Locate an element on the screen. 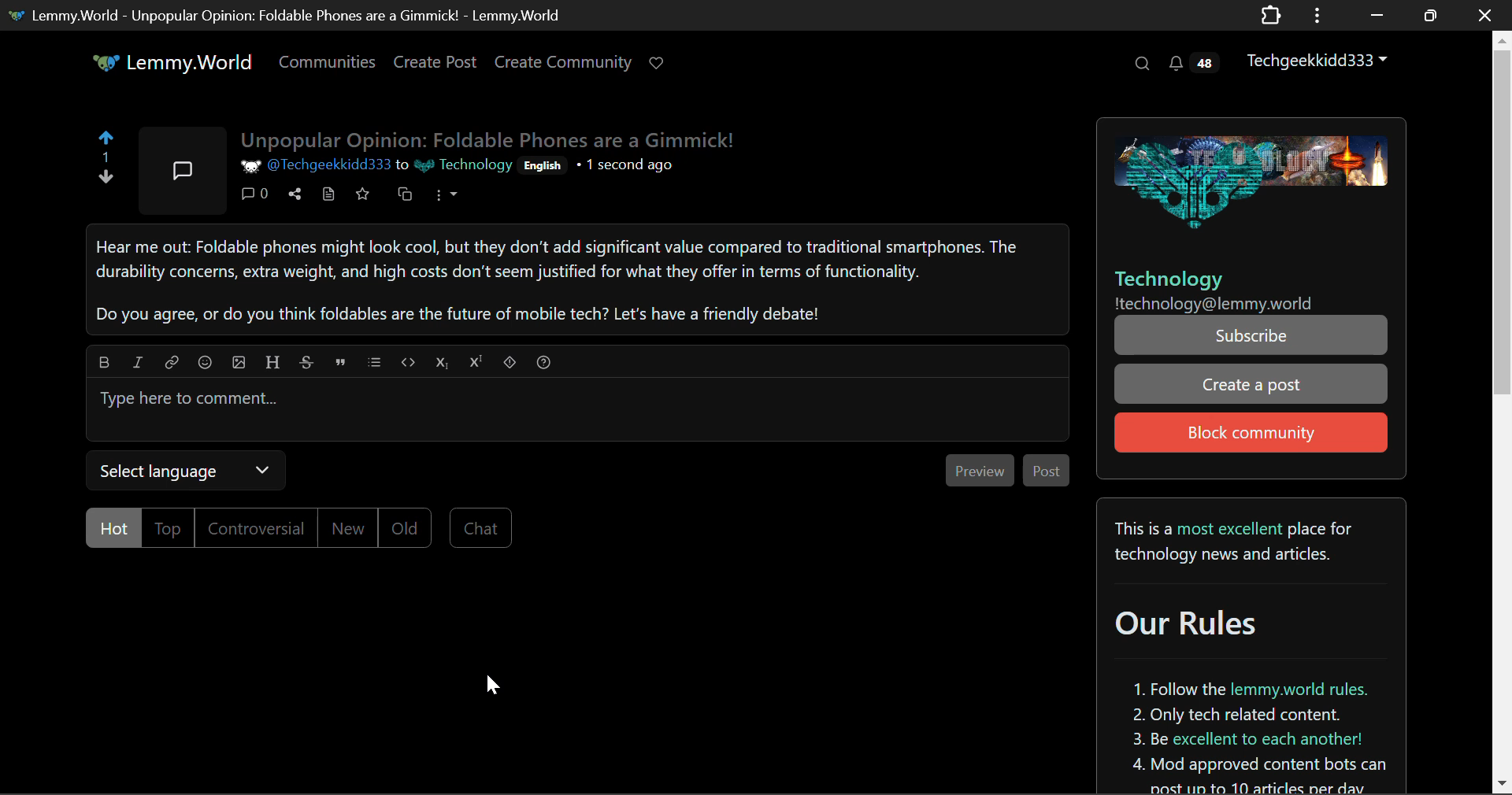 The height and width of the screenshot is (795, 1512). list is located at coordinates (376, 360).